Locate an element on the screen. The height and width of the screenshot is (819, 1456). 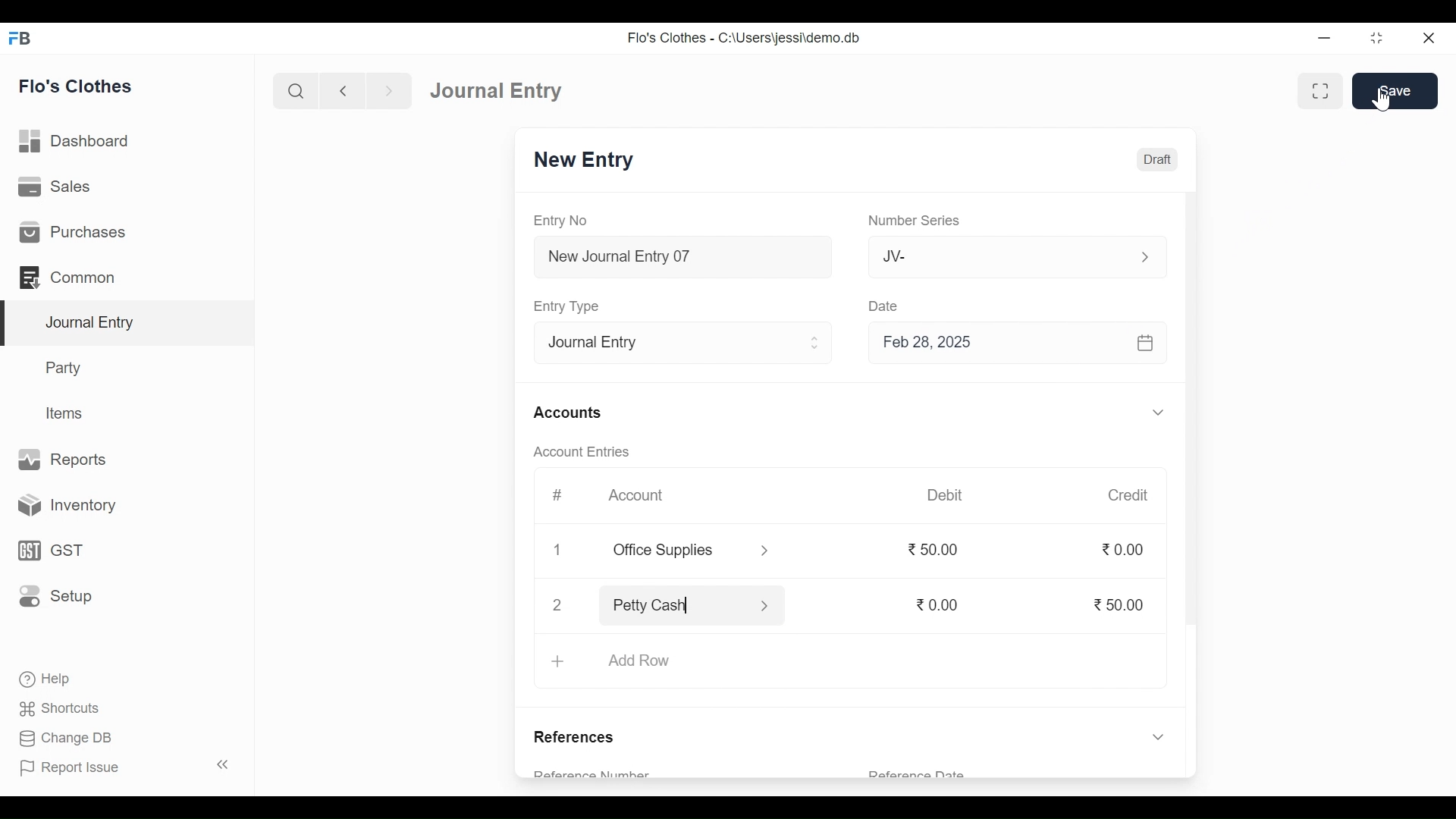
Account Entries is located at coordinates (581, 451).